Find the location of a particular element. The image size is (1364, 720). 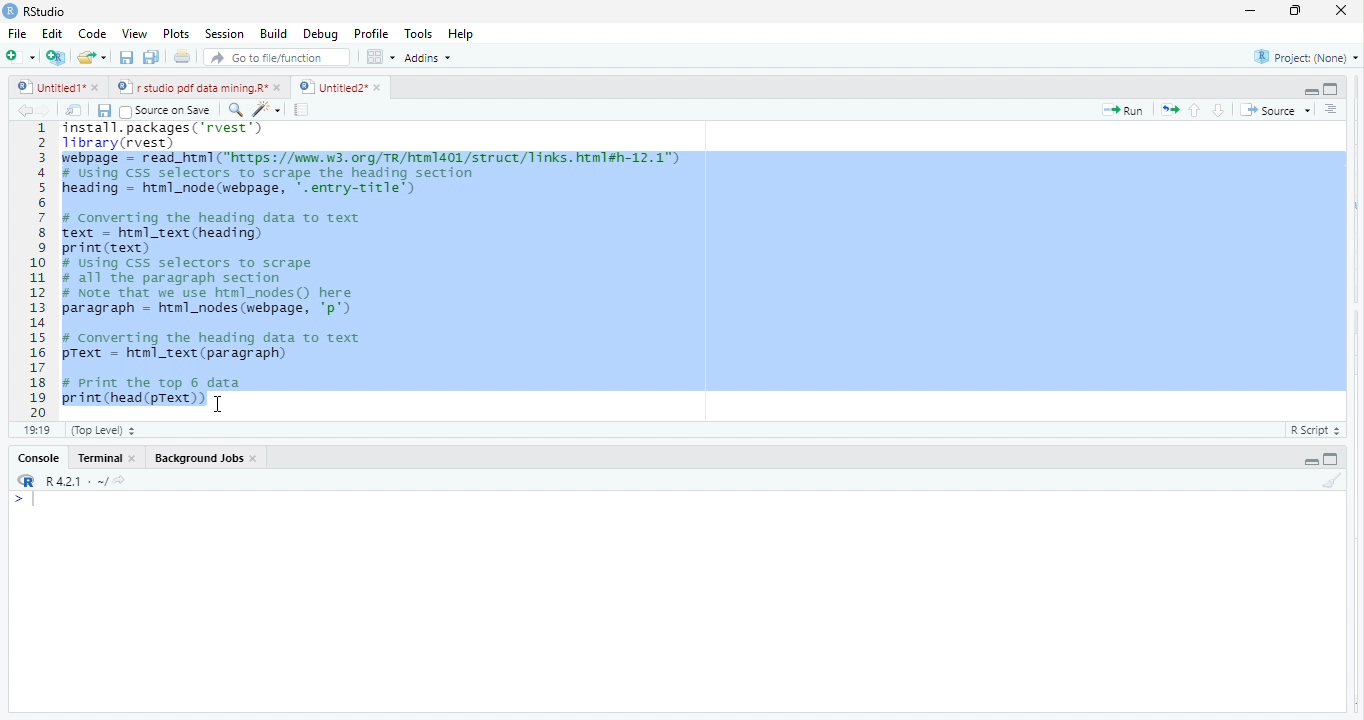

option is located at coordinates (380, 56).